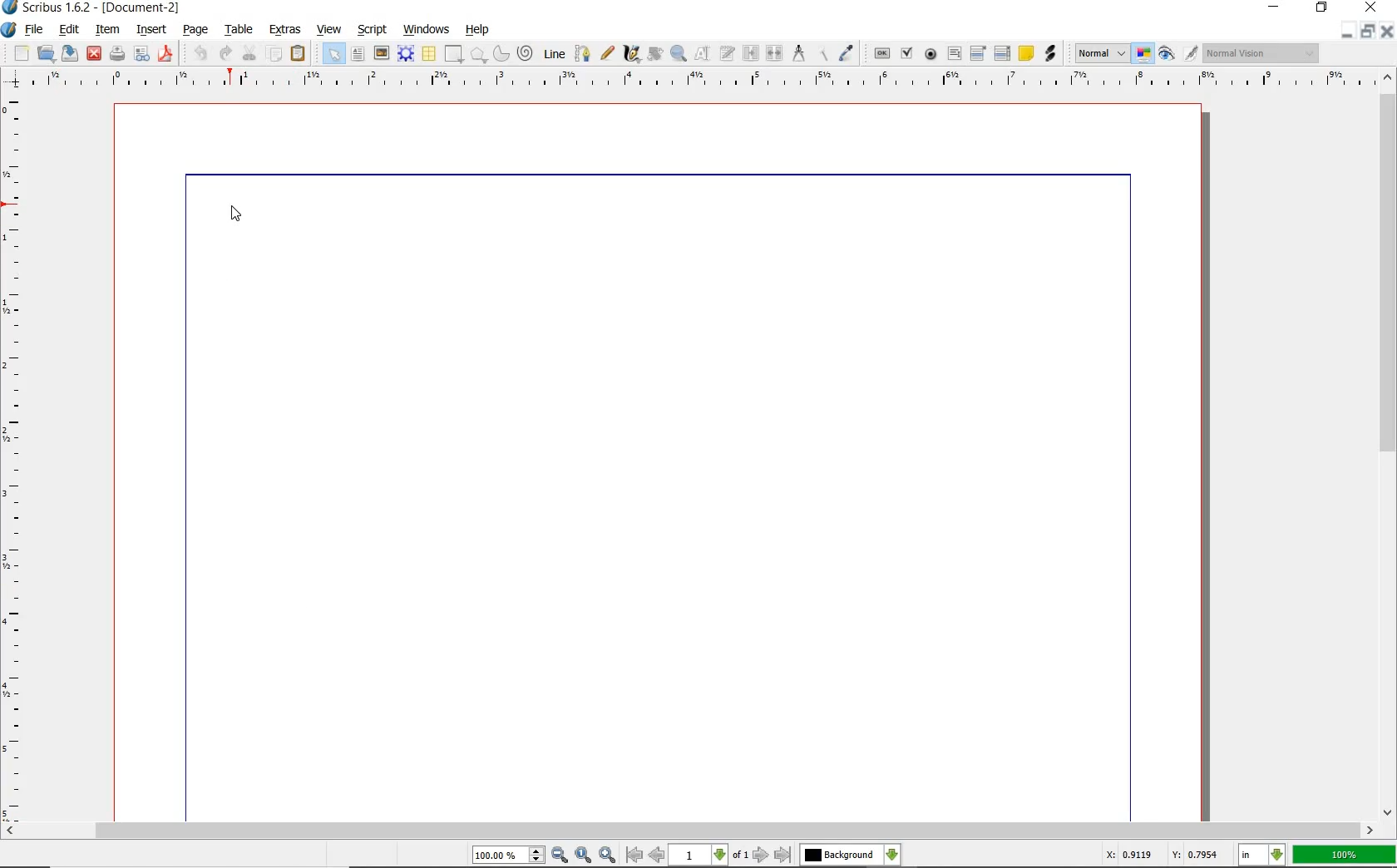  Describe the element at coordinates (46, 54) in the screenshot. I see `open` at that location.